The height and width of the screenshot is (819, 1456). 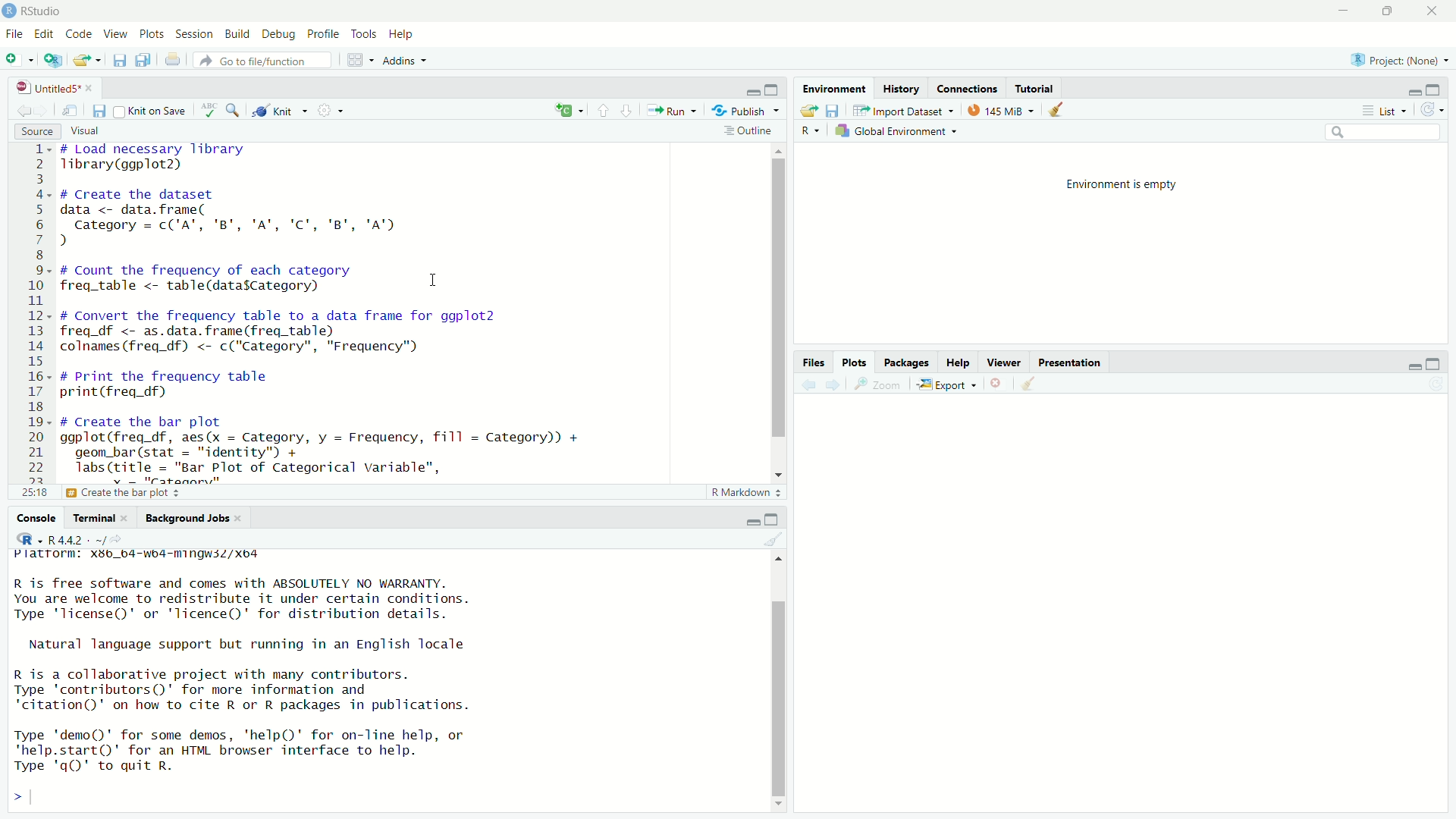 I want to click on environment is empty, so click(x=1122, y=184).